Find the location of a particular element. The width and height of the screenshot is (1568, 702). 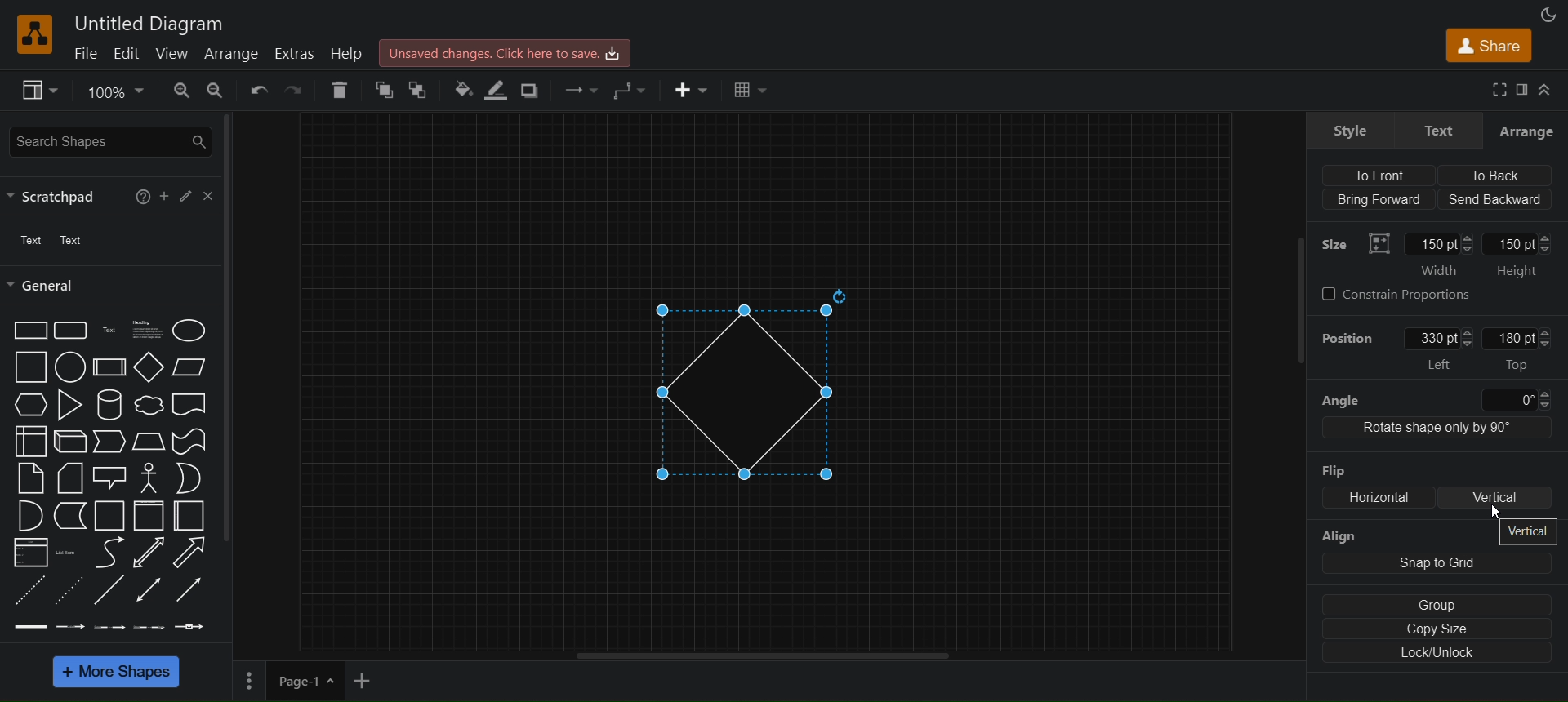

copy size is located at coordinates (1436, 629).